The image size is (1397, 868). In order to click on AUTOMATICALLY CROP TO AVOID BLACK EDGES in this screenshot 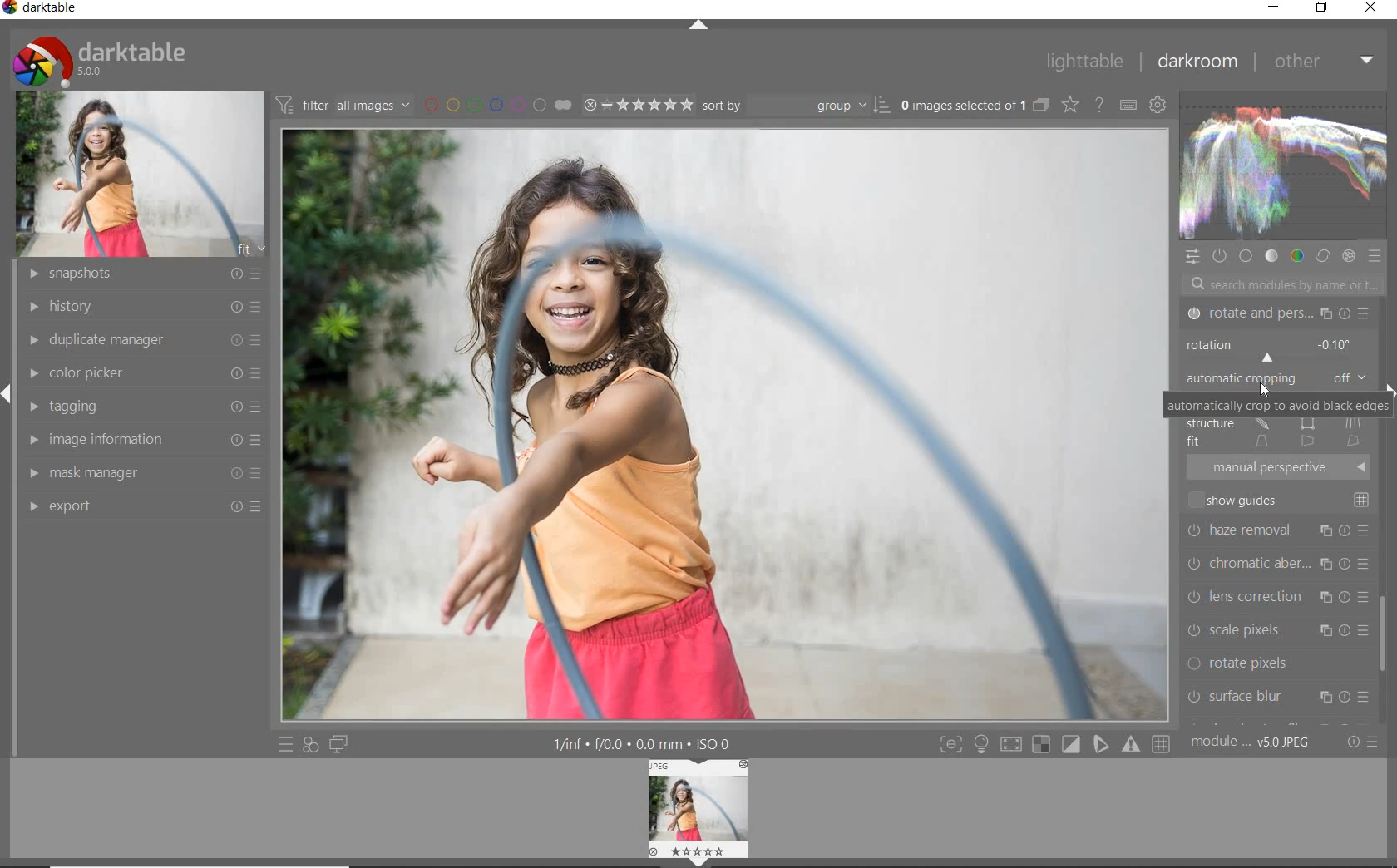, I will do `click(1278, 406)`.